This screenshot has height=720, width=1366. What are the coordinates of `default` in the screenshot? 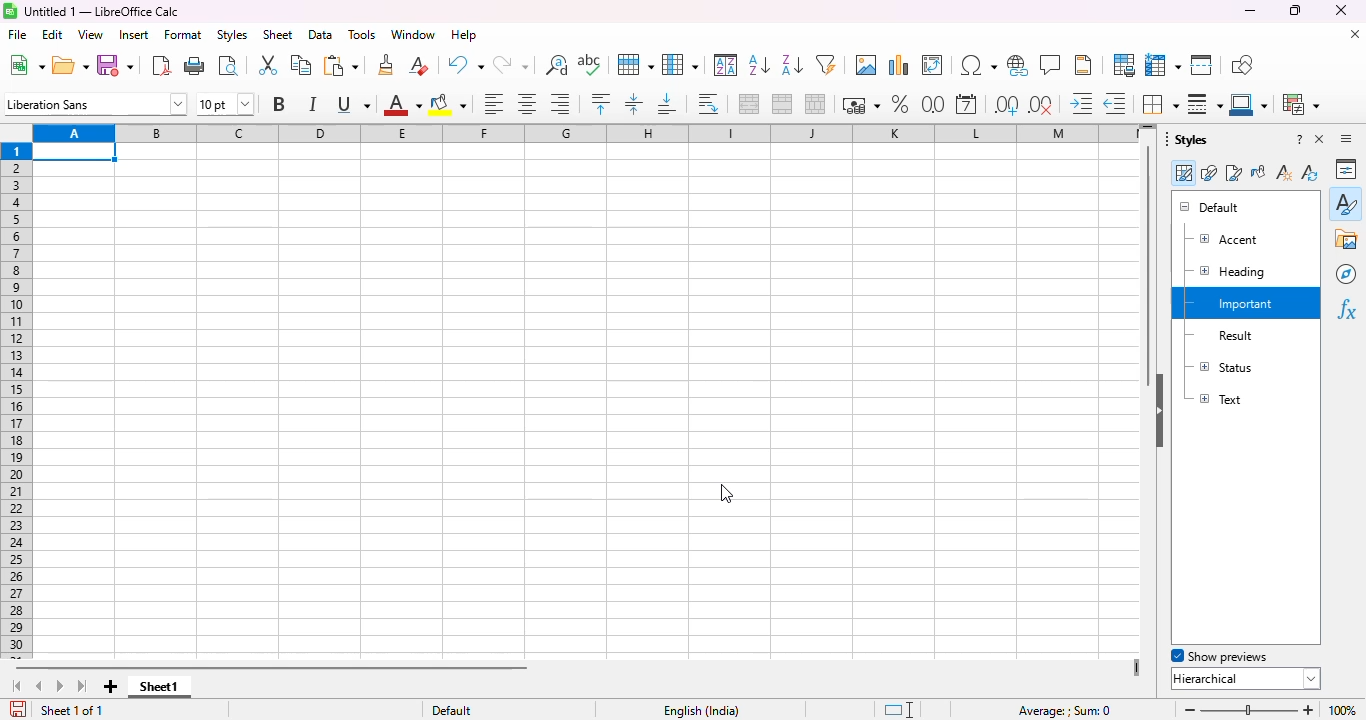 It's located at (1210, 206).